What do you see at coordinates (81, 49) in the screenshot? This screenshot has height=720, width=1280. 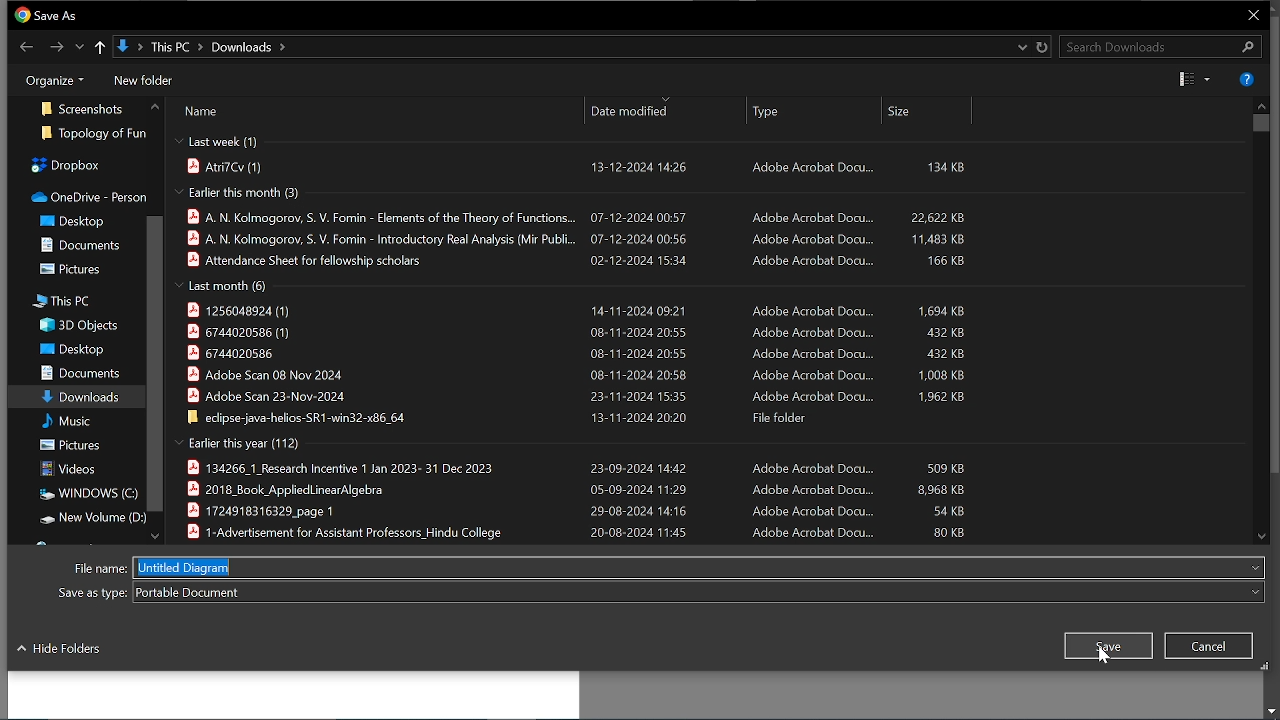 I see `Show previous location` at bounding box center [81, 49].